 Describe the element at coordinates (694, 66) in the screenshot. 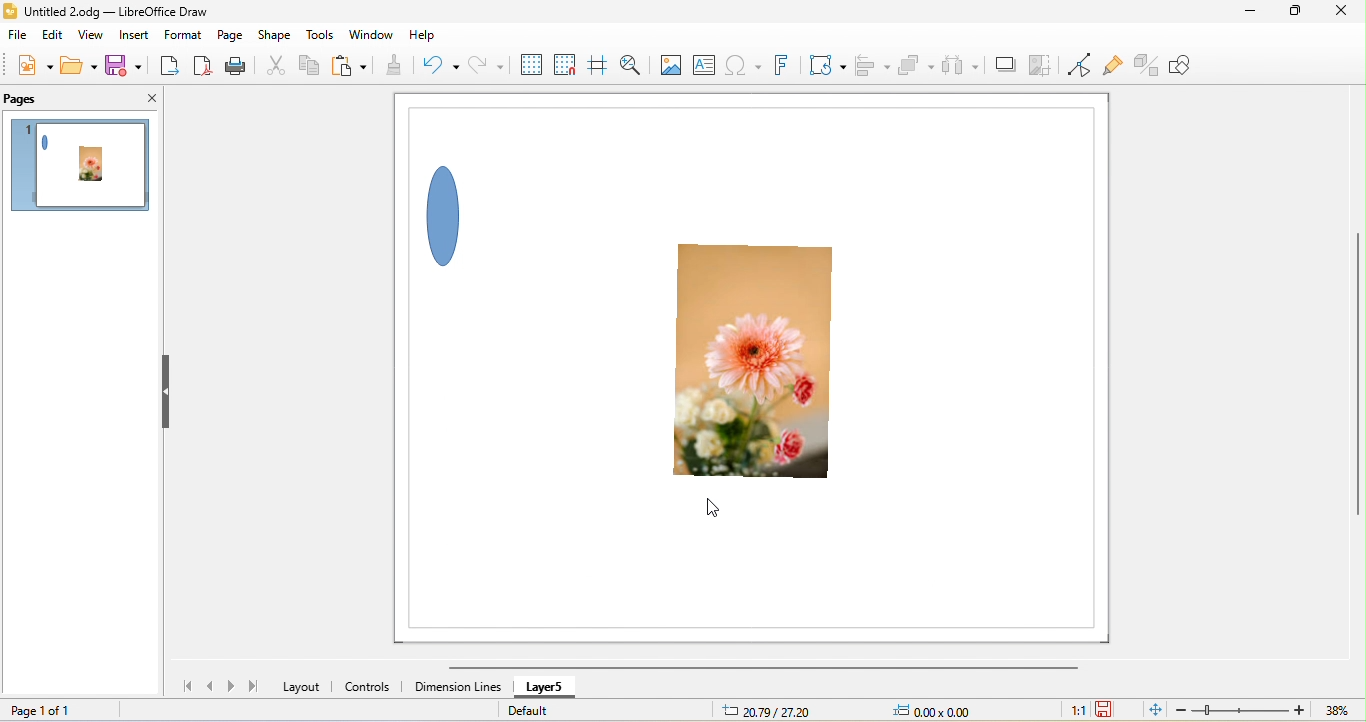

I see `text box` at that location.